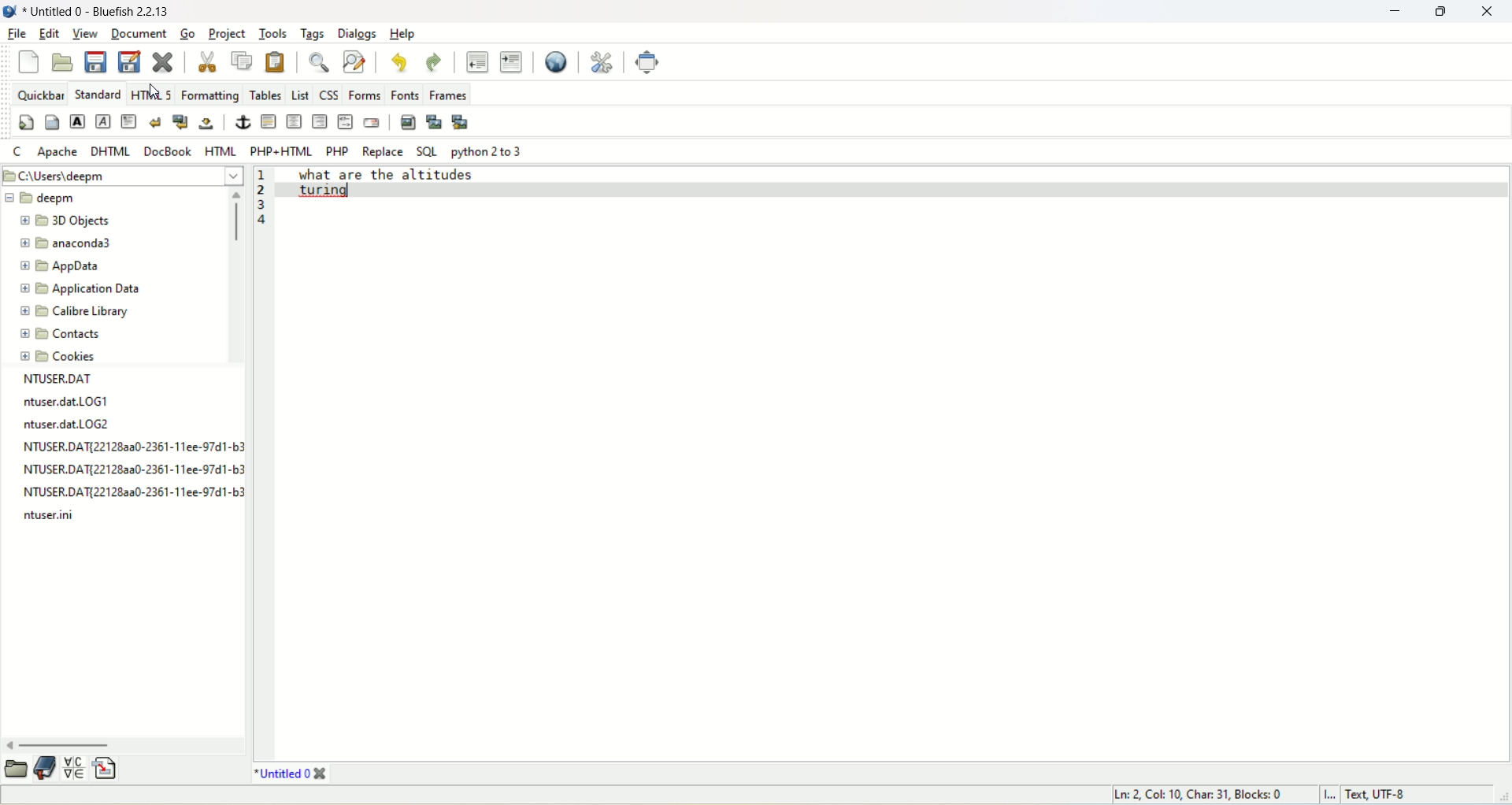 The height and width of the screenshot is (805, 1512). What do you see at coordinates (76, 313) in the screenshot?
I see `calibre` at bounding box center [76, 313].